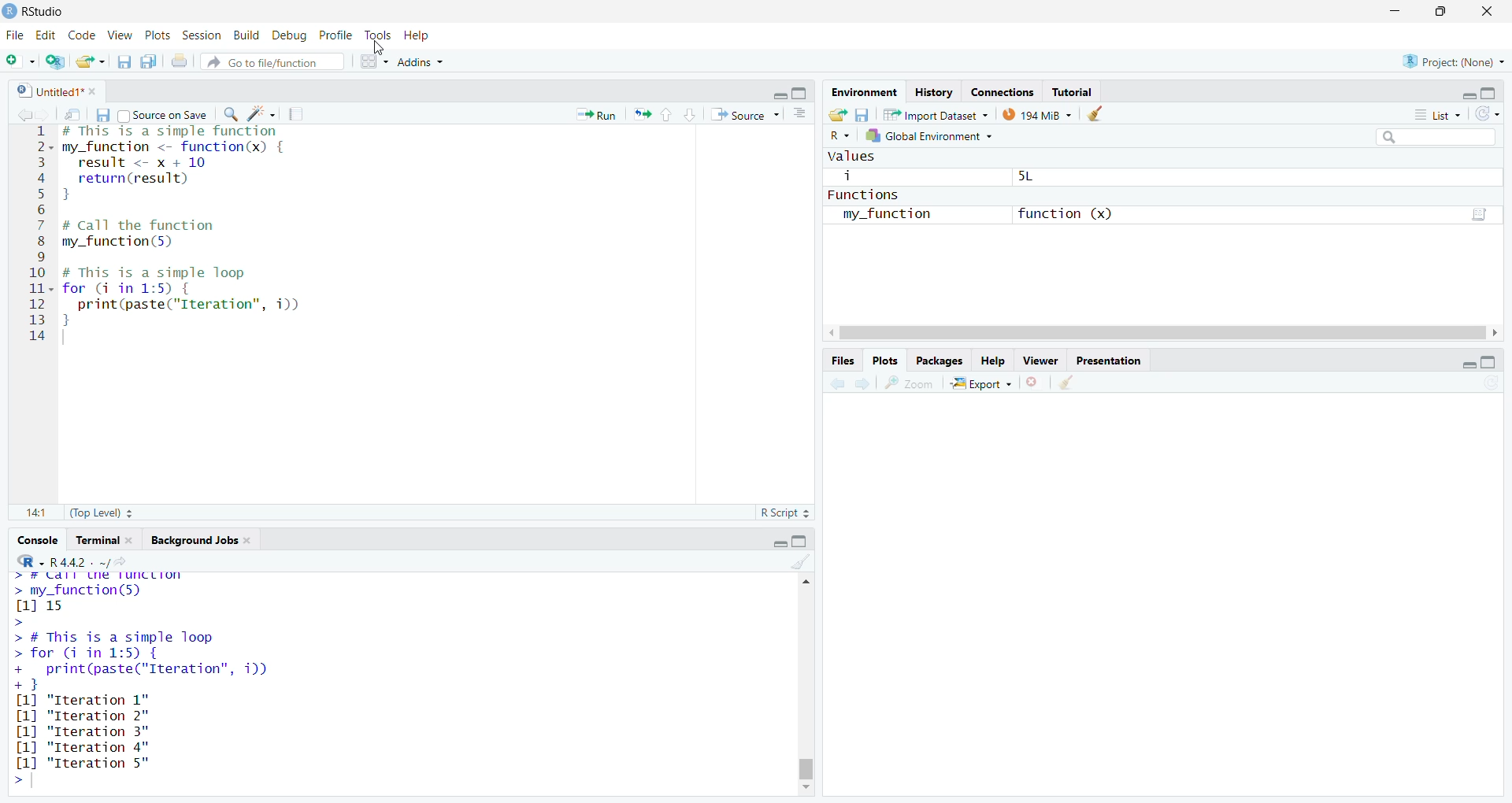 The width and height of the screenshot is (1512, 803). Describe the element at coordinates (35, 540) in the screenshot. I see `console` at that location.